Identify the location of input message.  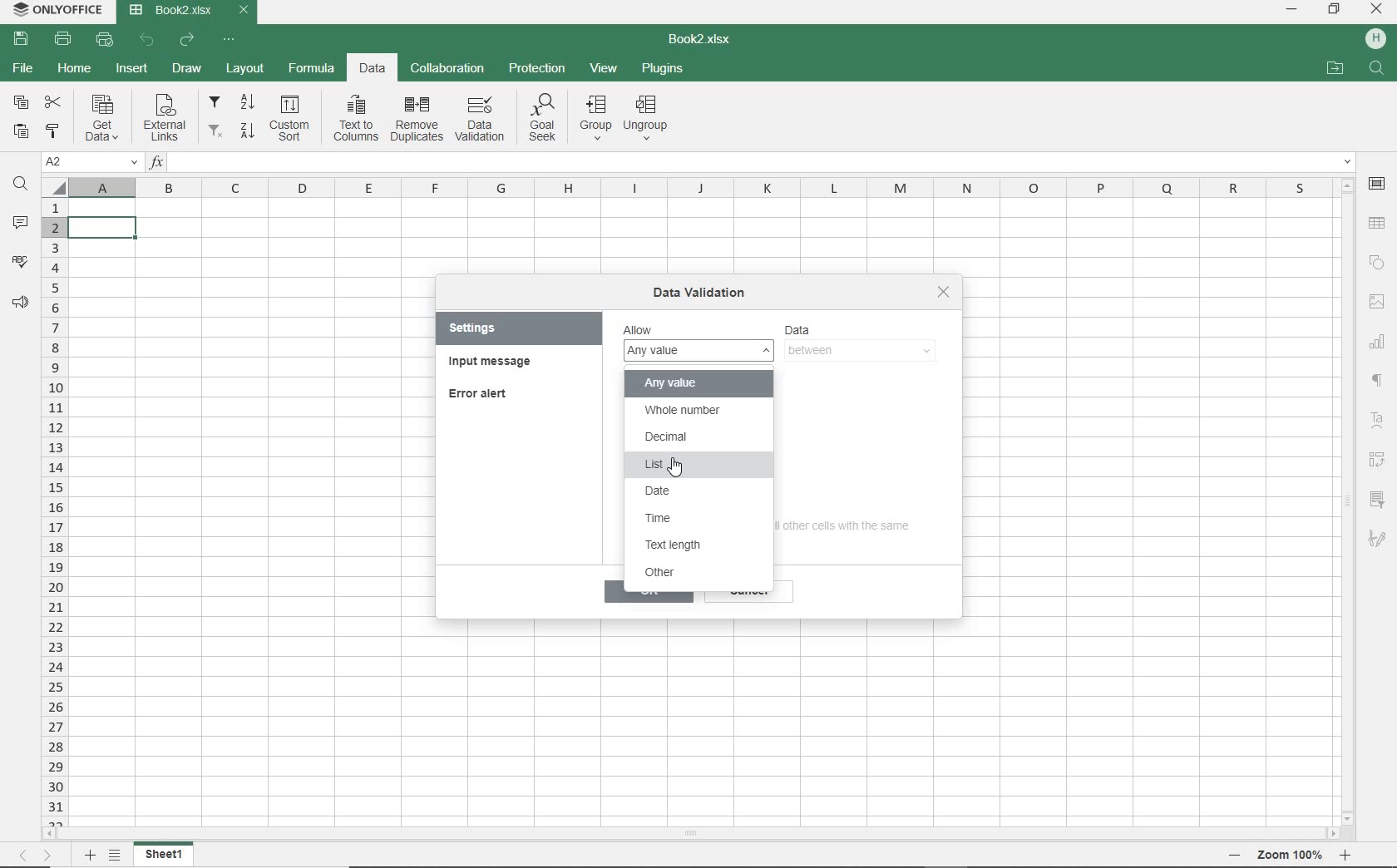
(491, 362).